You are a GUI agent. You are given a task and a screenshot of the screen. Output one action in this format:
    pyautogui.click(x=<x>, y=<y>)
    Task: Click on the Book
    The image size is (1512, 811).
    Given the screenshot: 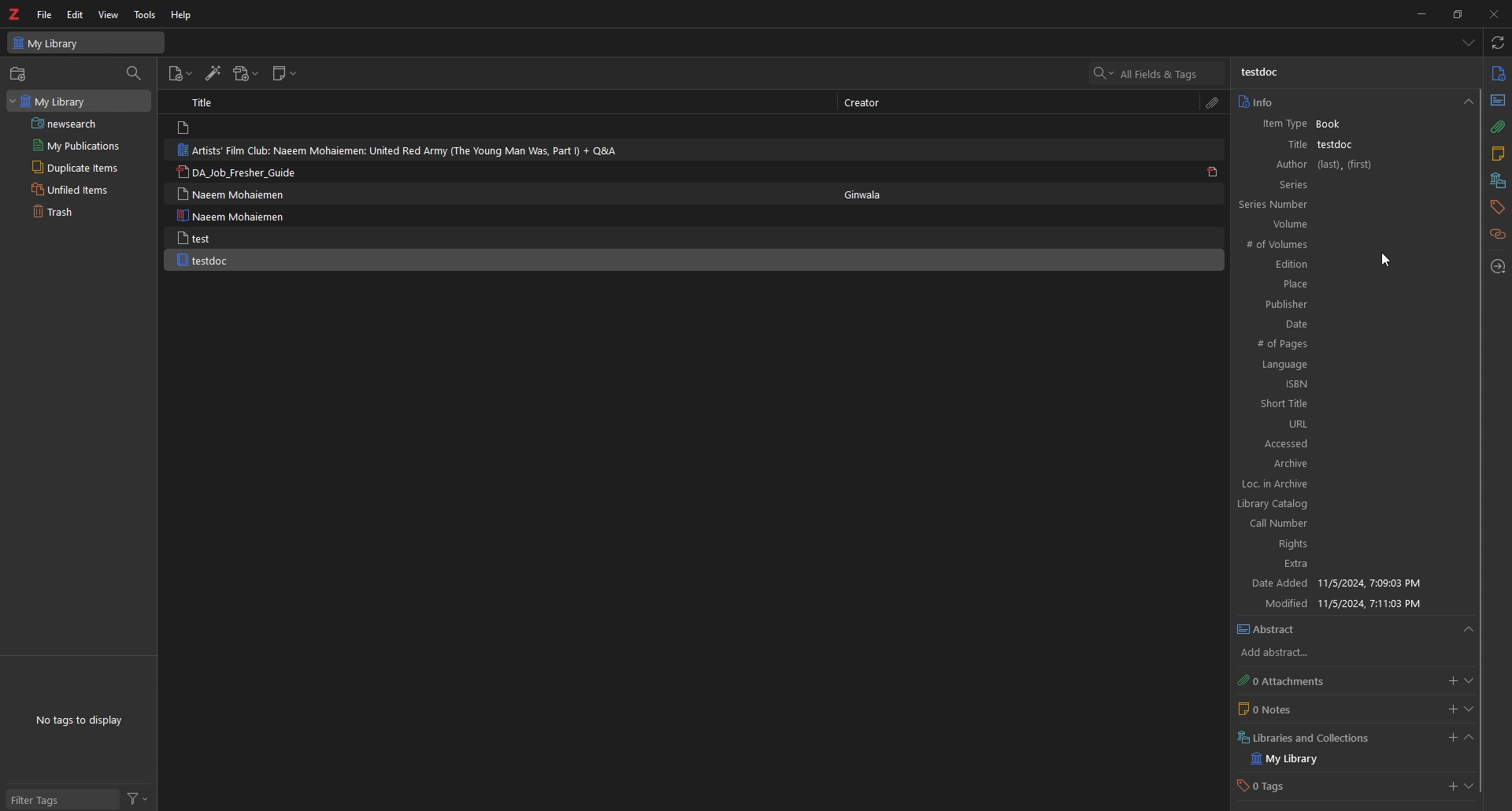 What is the action you would take?
    pyautogui.click(x=1393, y=124)
    